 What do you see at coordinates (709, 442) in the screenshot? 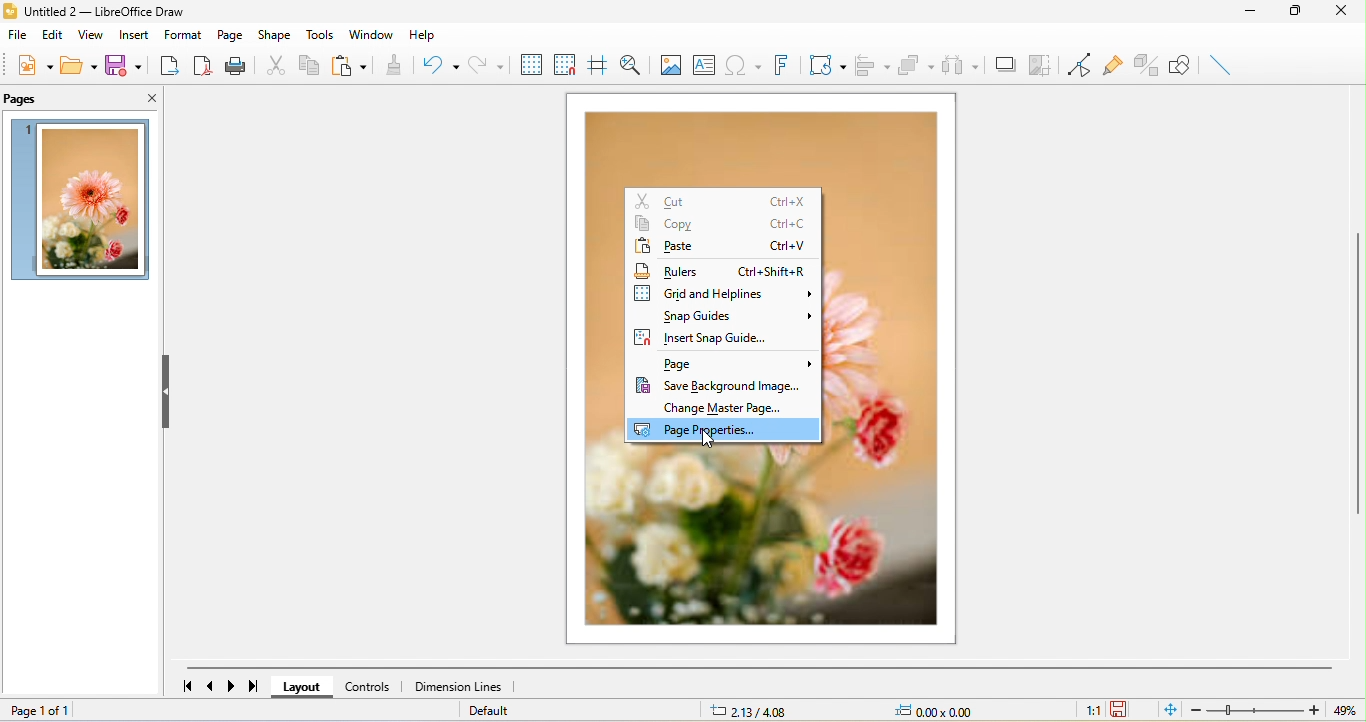
I see `cursor movement` at bounding box center [709, 442].